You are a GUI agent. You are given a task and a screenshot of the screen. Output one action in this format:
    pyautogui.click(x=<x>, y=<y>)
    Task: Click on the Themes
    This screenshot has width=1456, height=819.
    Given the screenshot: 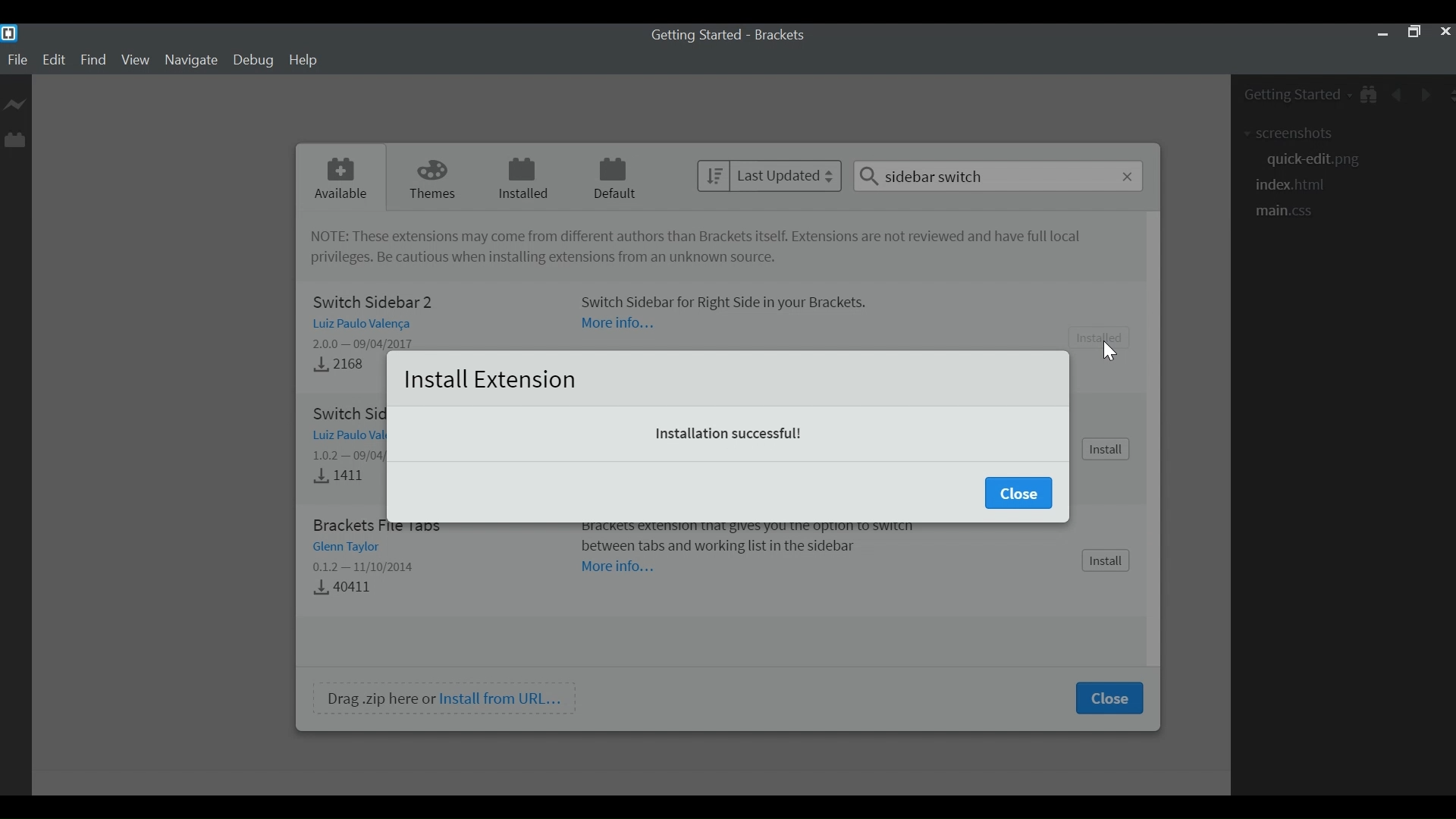 What is the action you would take?
    pyautogui.click(x=428, y=177)
    